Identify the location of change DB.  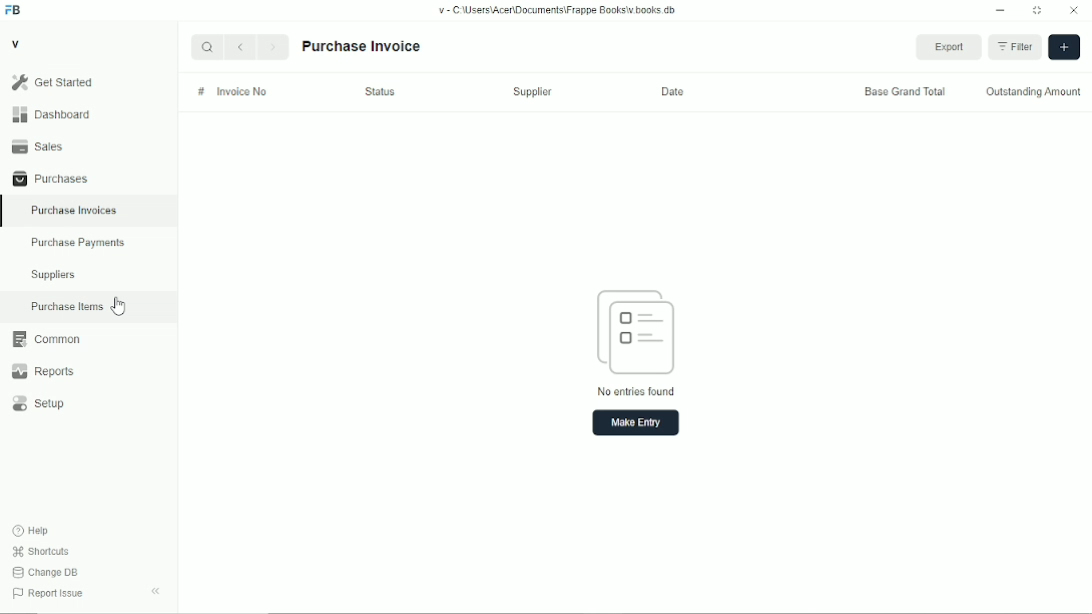
(45, 572).